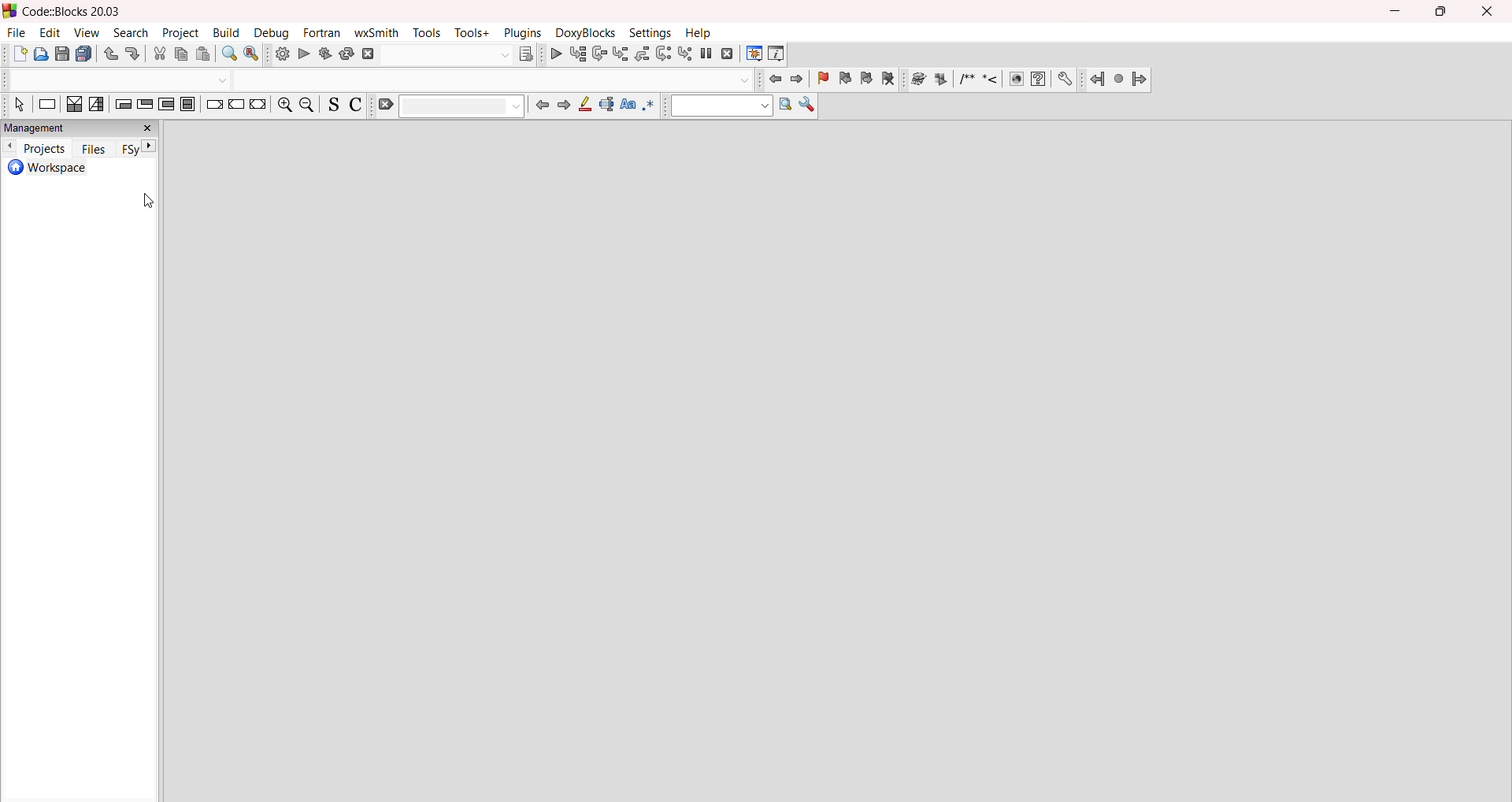 Image resolution: width=1512 pixels, height=802 pixels. What do you see at coordinates (183, 54) in the screenshot?
I see `copy` at bounding box center [183, 54].